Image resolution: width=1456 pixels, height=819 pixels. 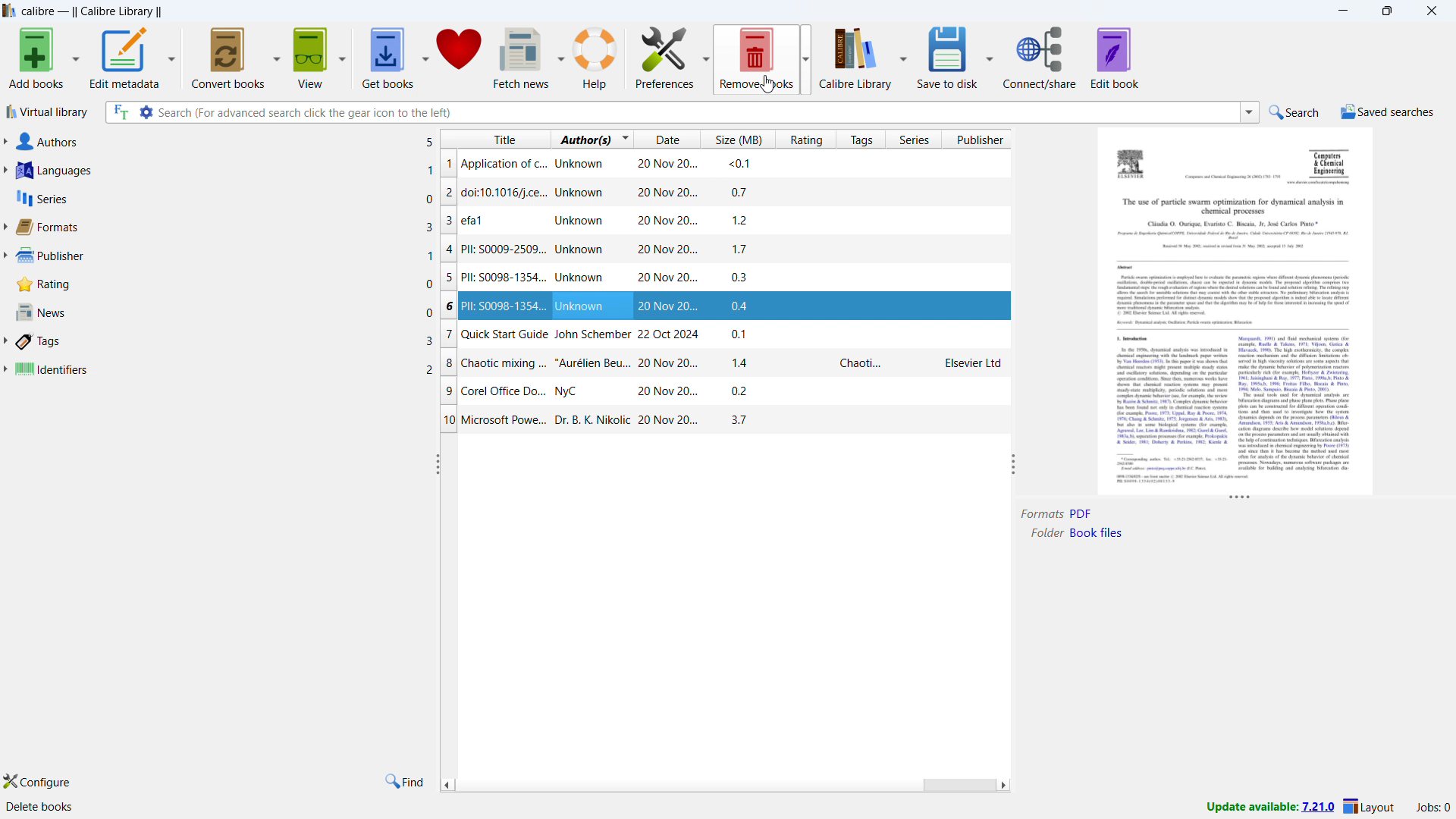 I want to click on convert books options, so click(x=278, y=57).